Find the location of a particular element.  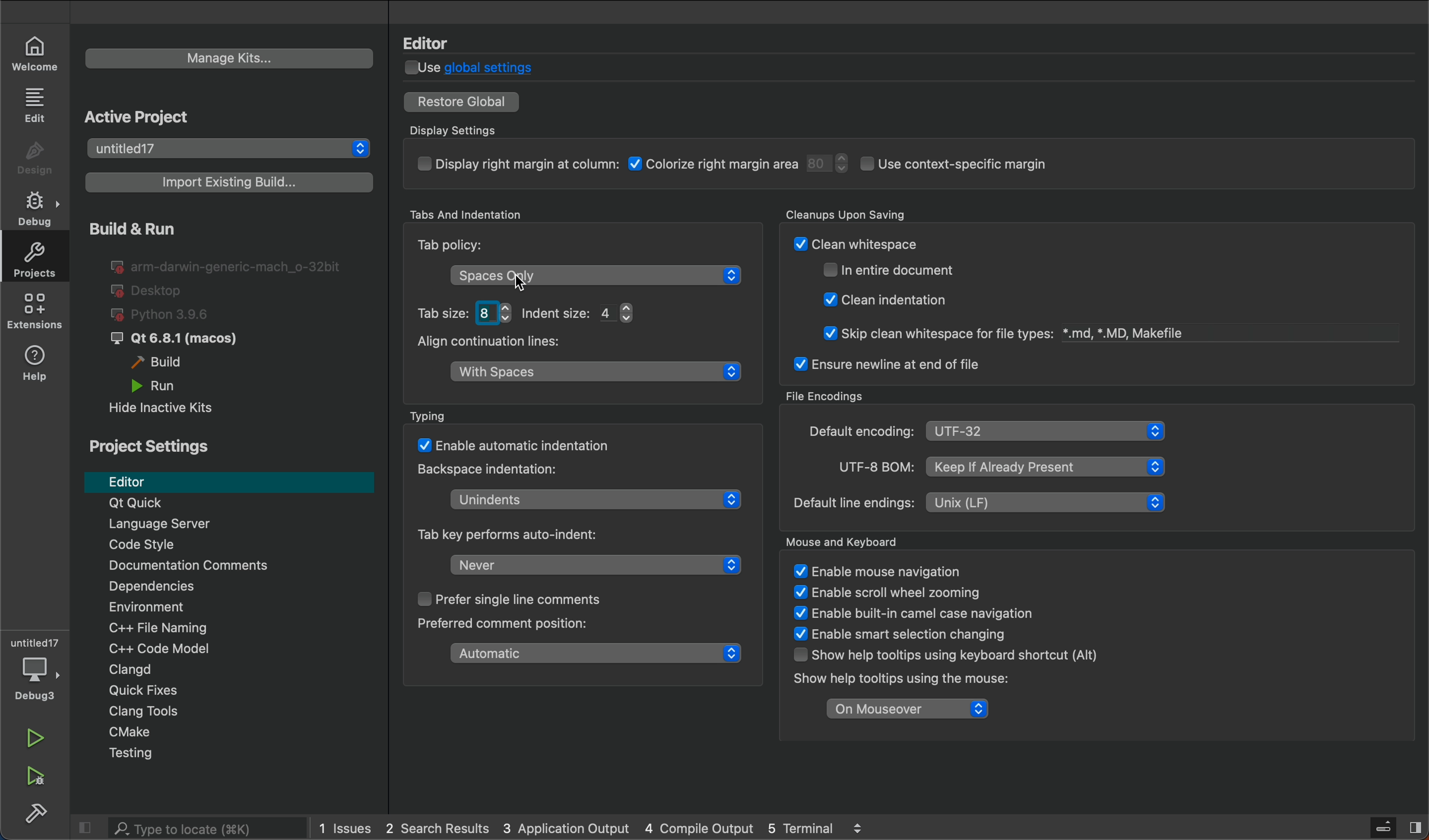

Cmakje is located at coordinates (238, 735).